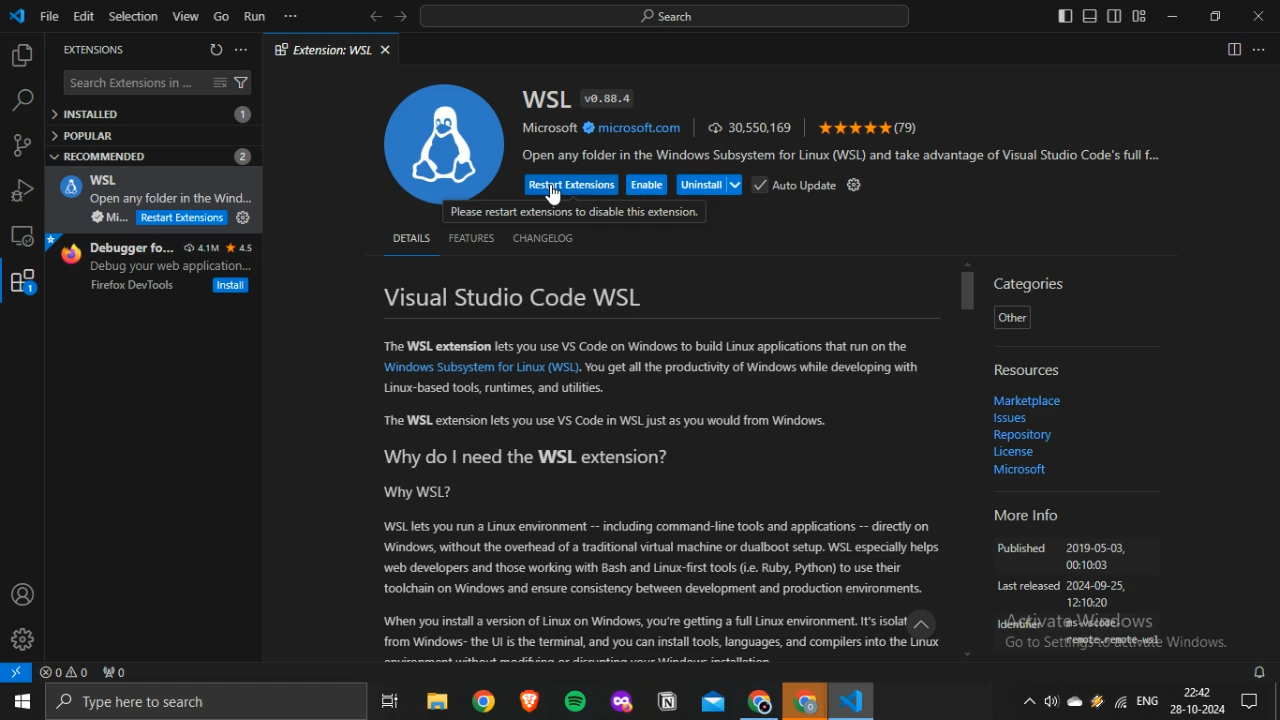 Image resolution: width=1280 pixels, height=720 pixels. Describe the element at coordinates (1088, 604) in the screenshot. I see `121020` at that location.